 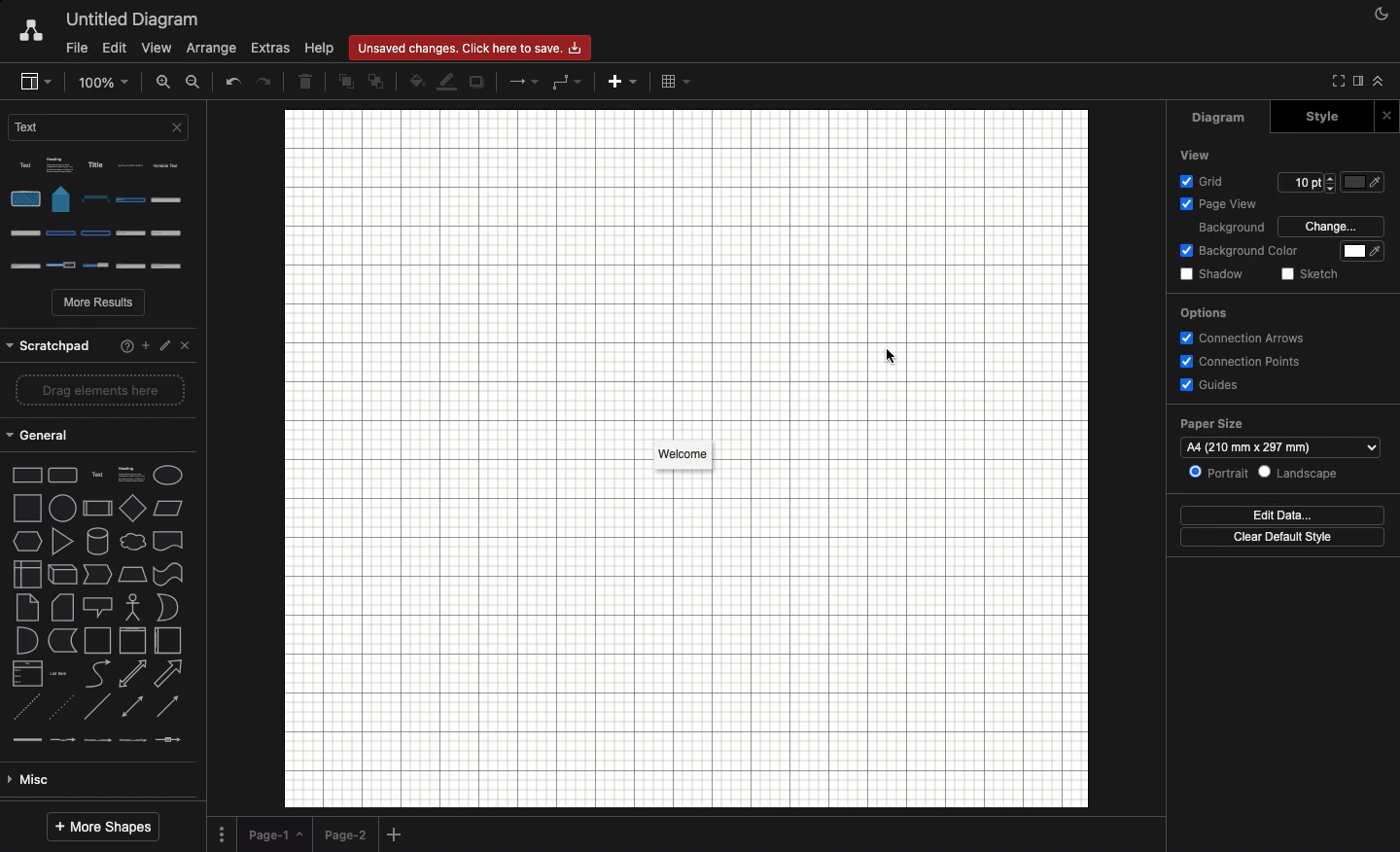 I want to click on Shadow applied, so click(x=682, y=465).